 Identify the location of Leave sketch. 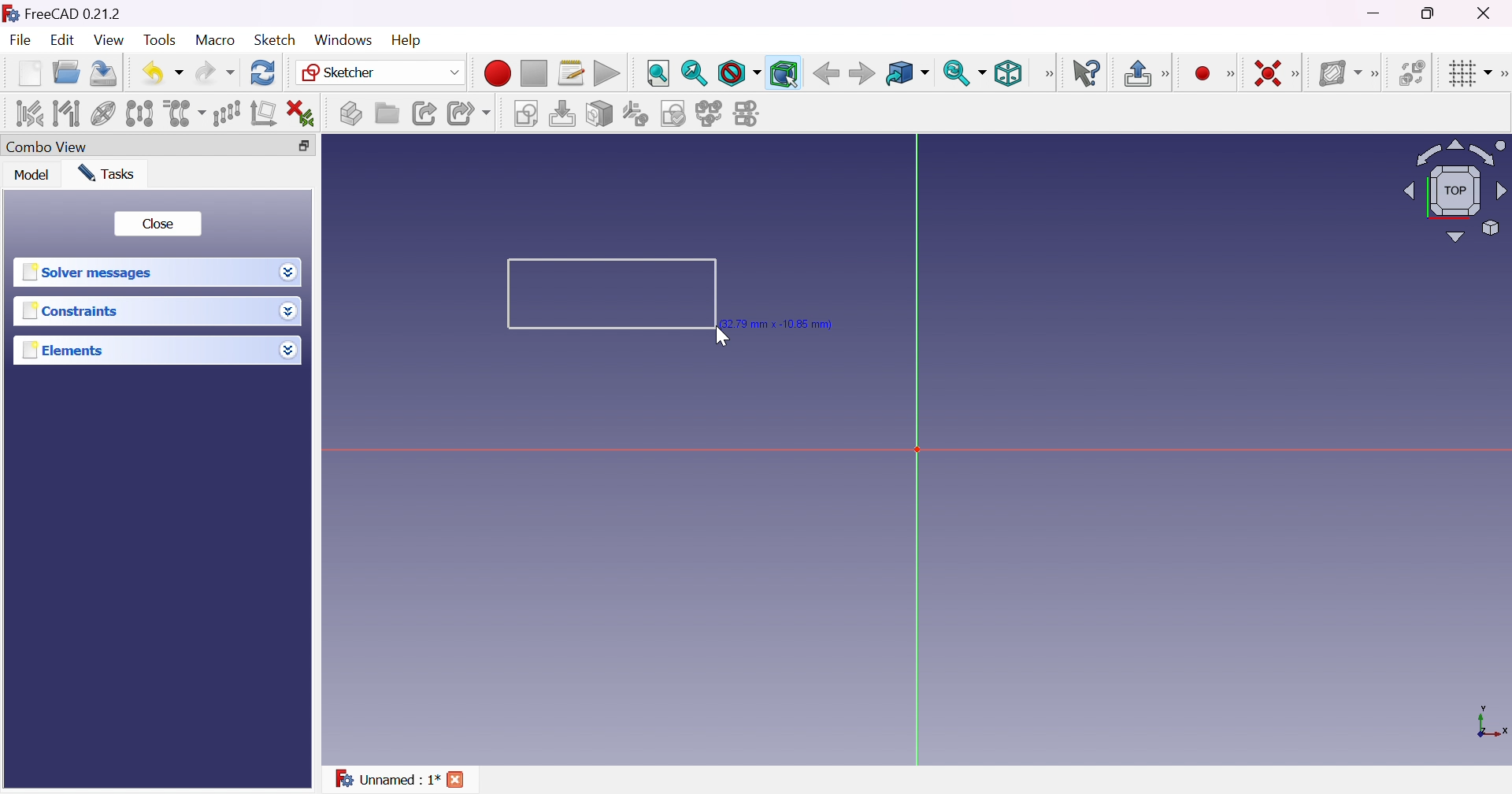
(1136, 73).